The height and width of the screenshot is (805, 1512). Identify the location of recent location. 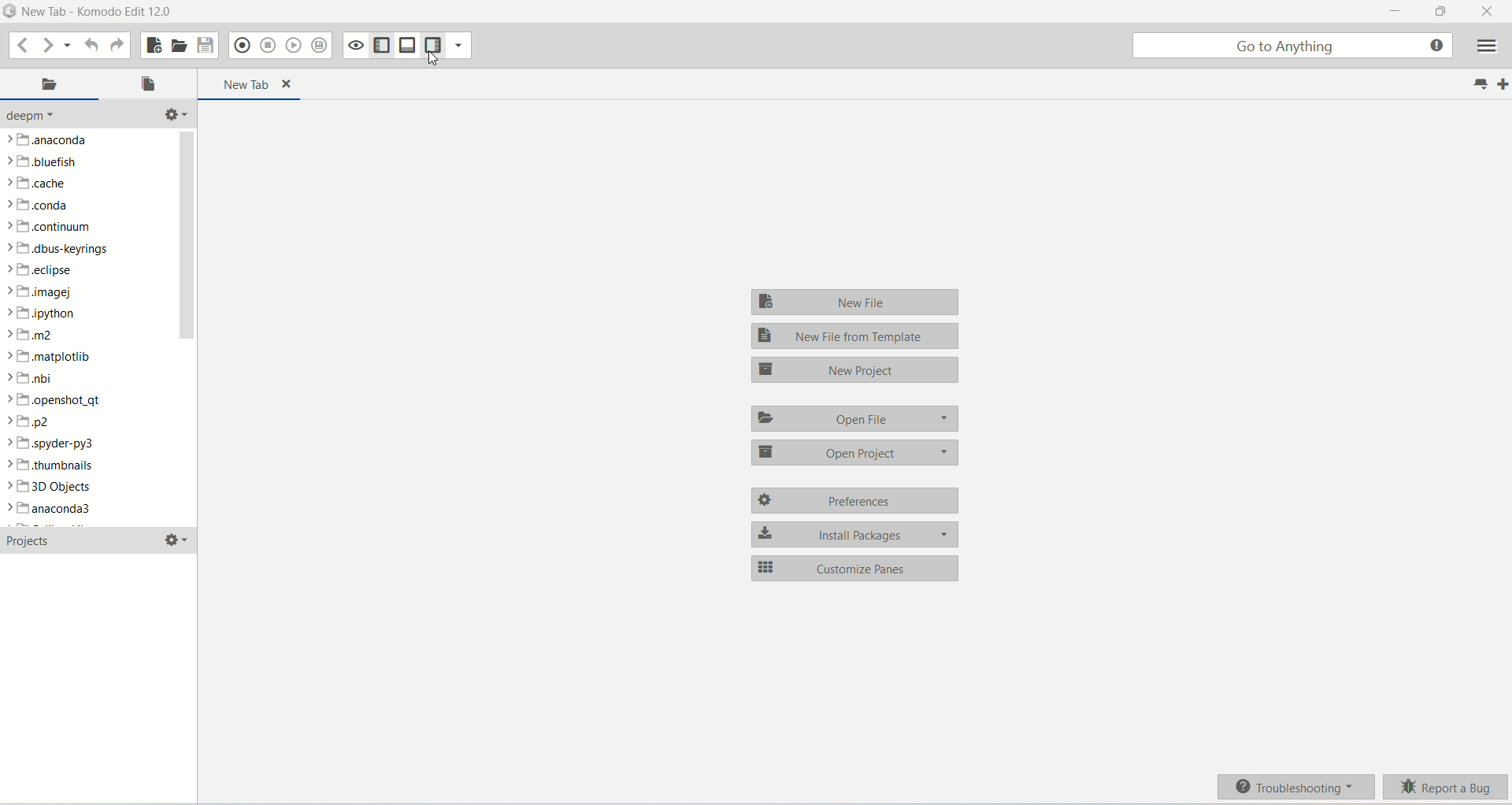
(69, 46).